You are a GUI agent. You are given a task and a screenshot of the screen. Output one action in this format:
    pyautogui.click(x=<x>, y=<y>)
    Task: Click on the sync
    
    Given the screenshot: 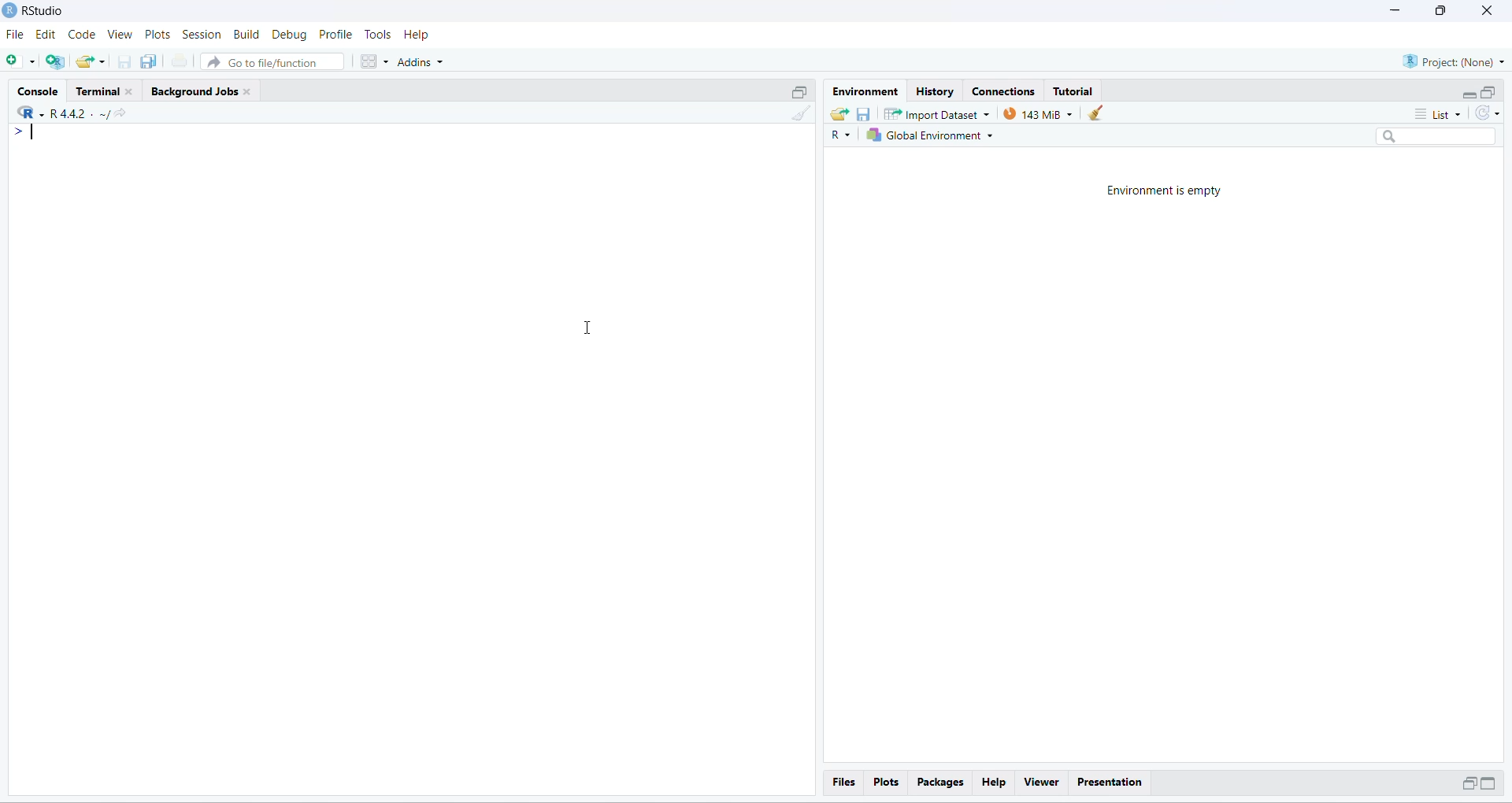 What is the action you would take?
    pyautogui.click(x=1488, y=113)
    